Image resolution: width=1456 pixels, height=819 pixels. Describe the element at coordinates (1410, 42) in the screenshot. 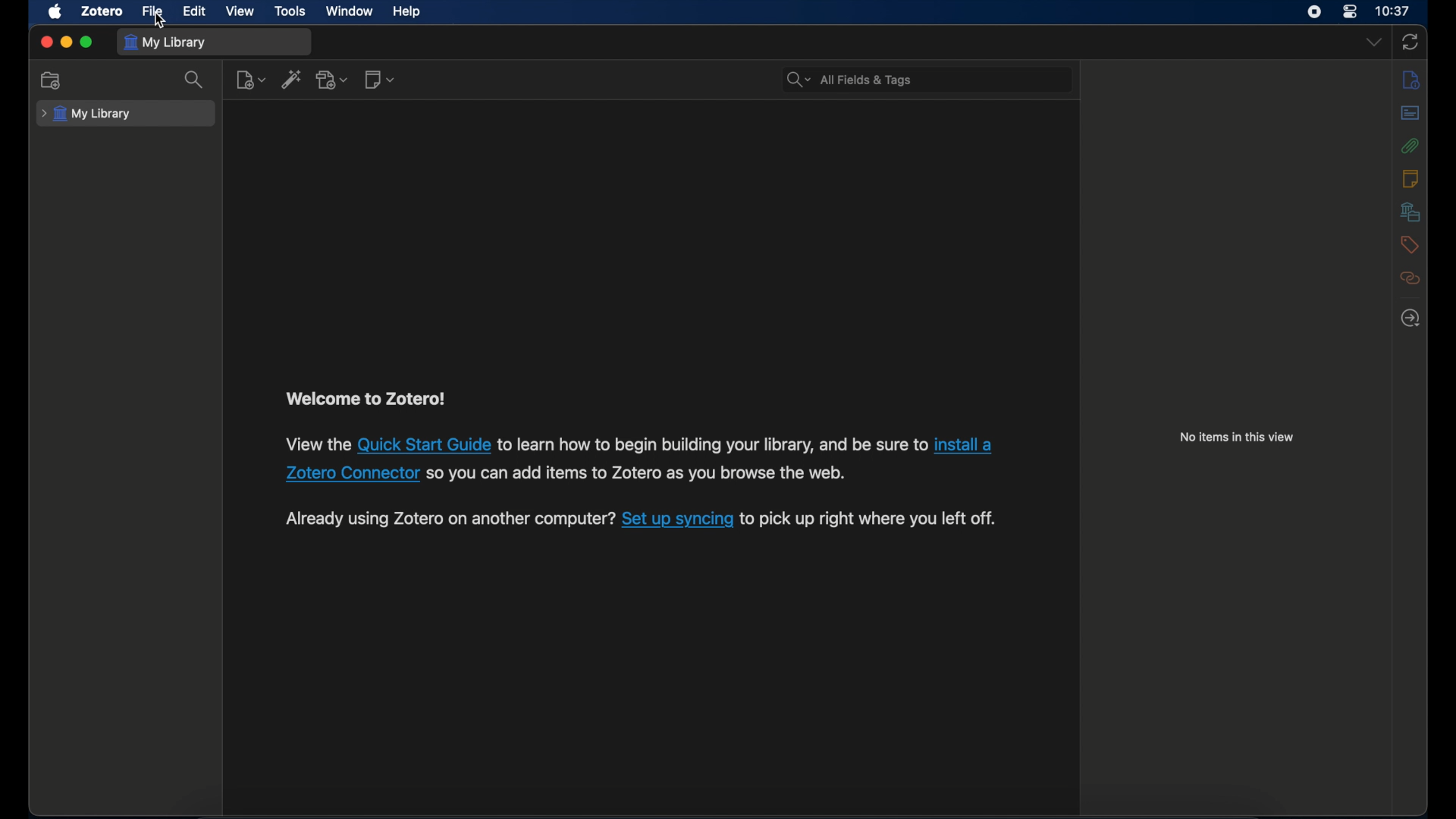

I see `sync` at that location.